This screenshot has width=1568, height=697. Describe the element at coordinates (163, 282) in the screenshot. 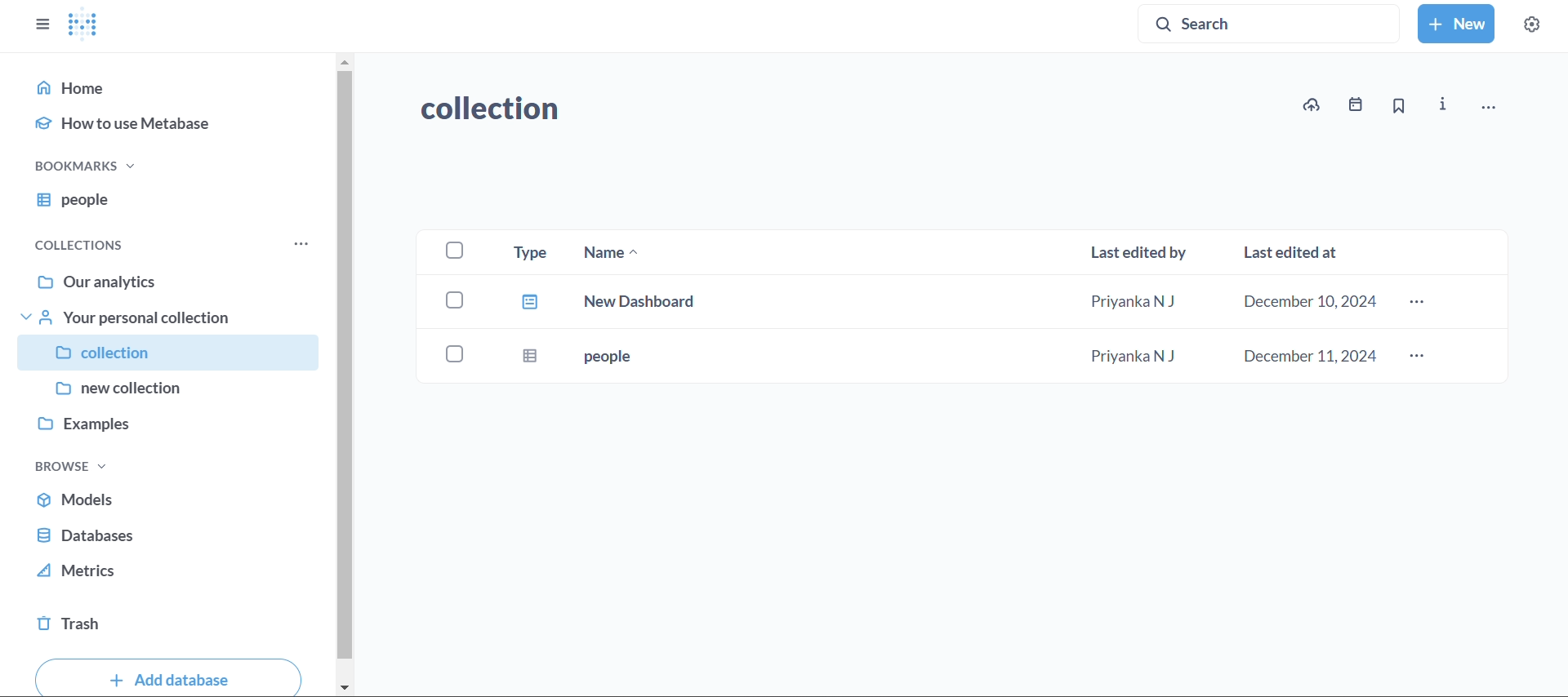

I see `our analytics` at that location.